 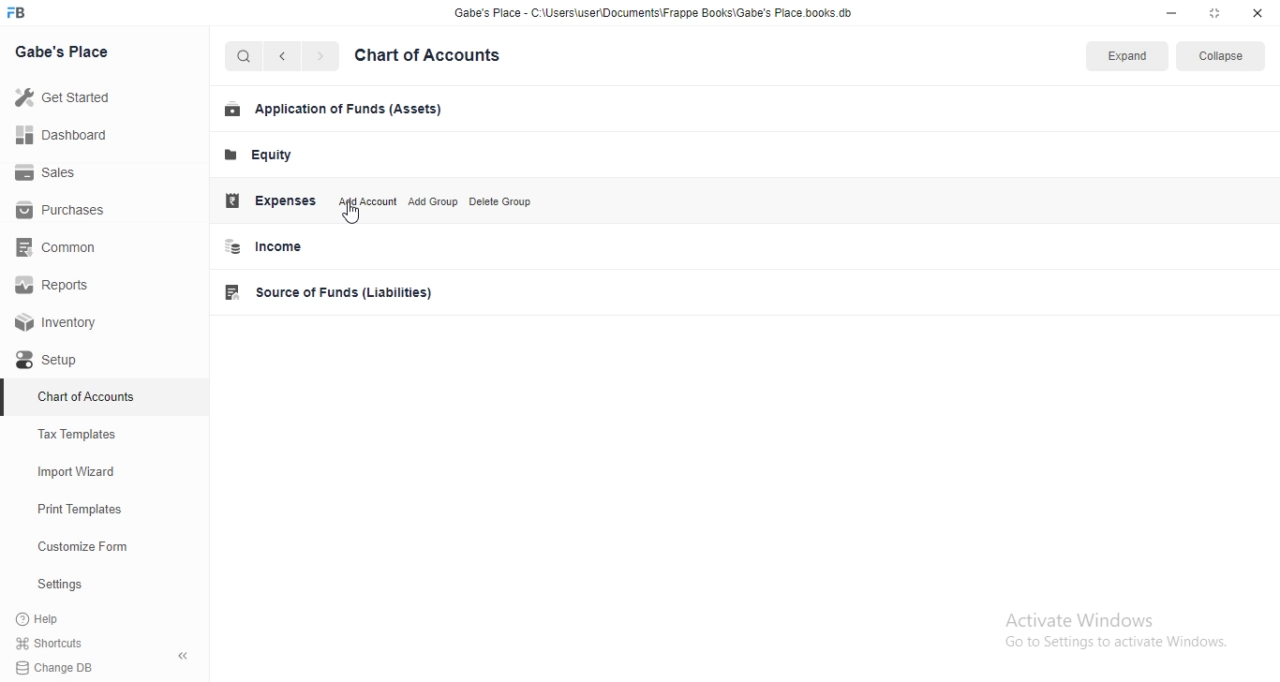 What do you see at coordinates (78, 508) in the screenshot?
I see `Print Templates` at bounding box center [78, 508].